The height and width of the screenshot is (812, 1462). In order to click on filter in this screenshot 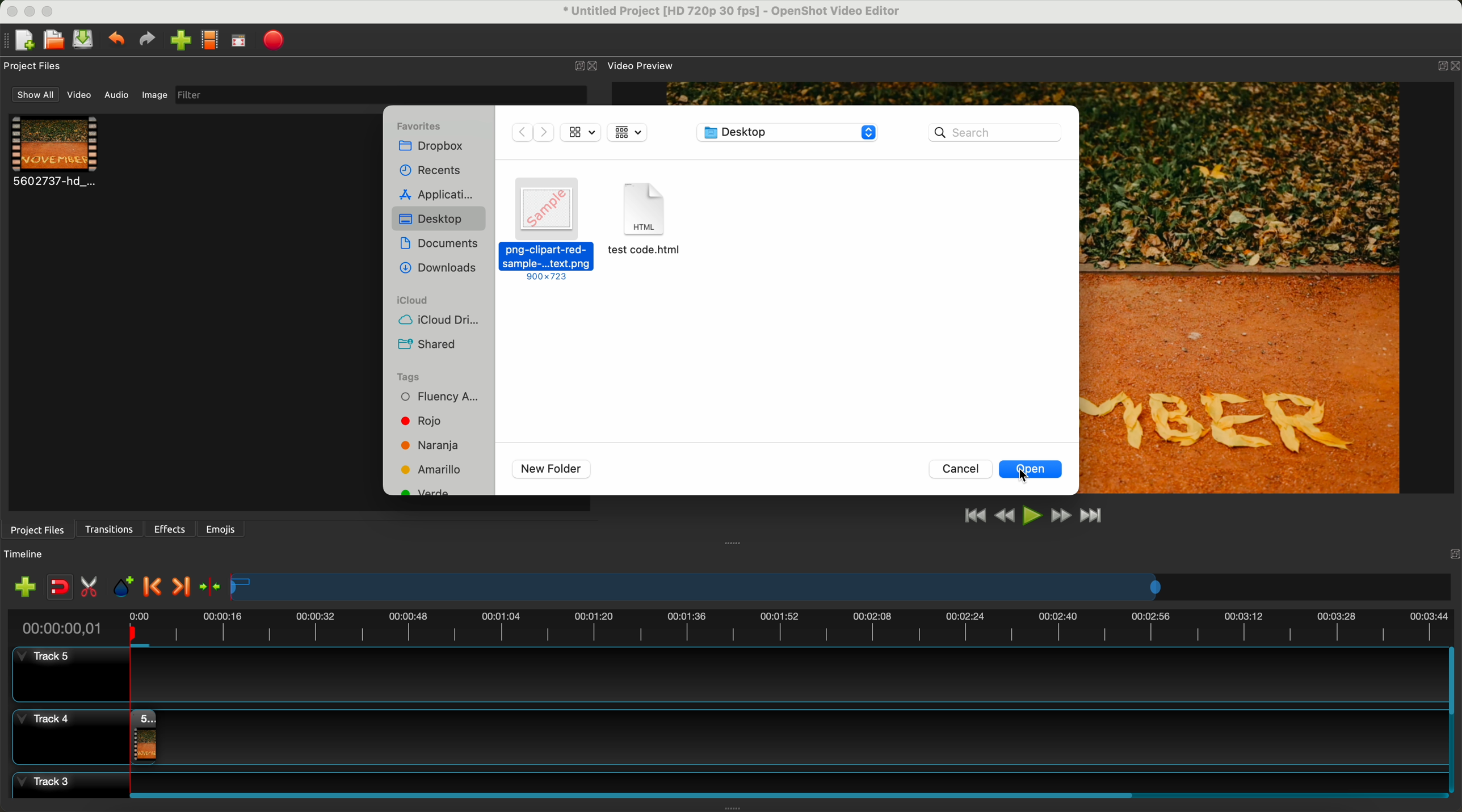, I will do `click(378, 95)`.